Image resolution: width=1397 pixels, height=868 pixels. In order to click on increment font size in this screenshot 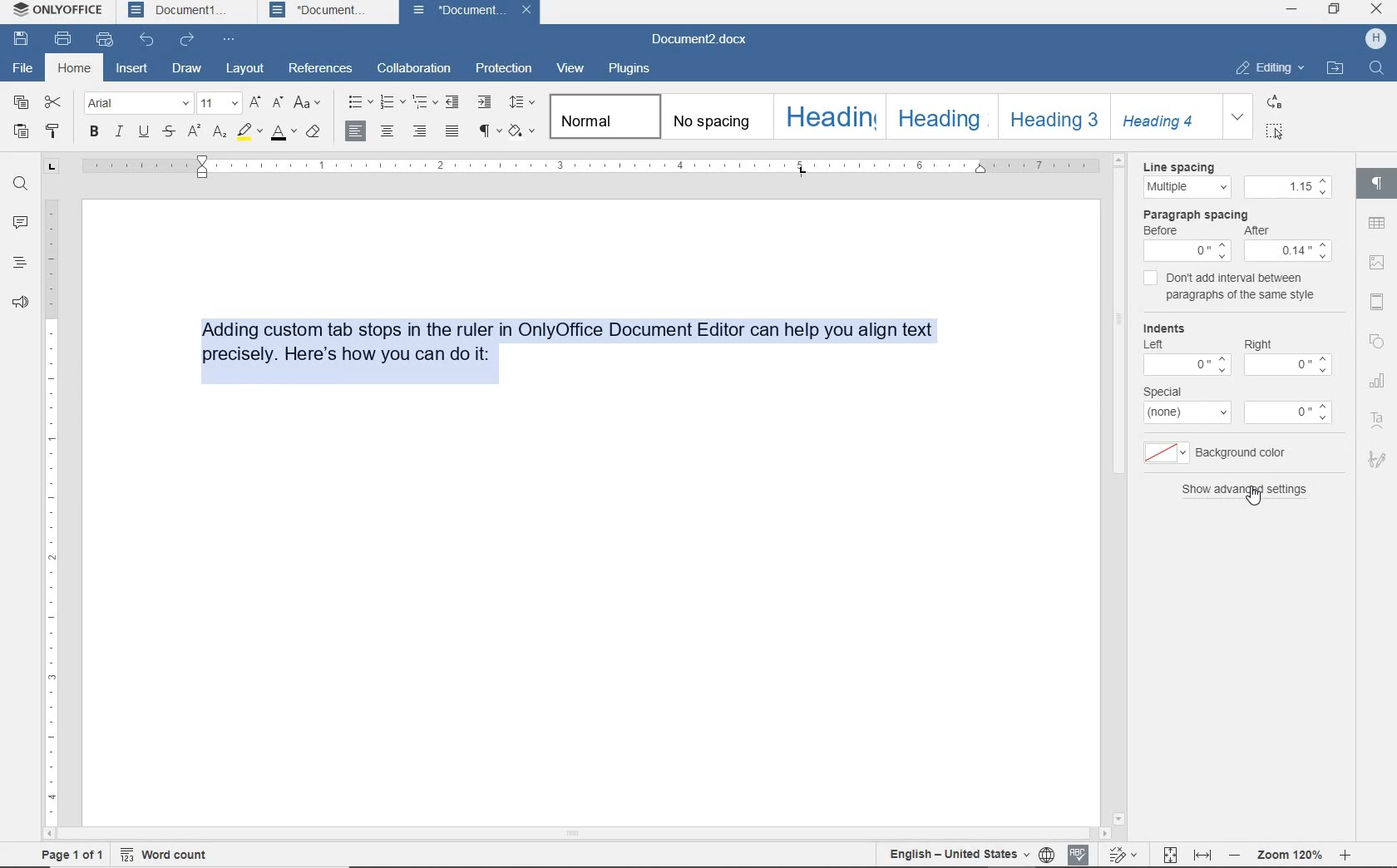, I will do `click(254, 104)`.